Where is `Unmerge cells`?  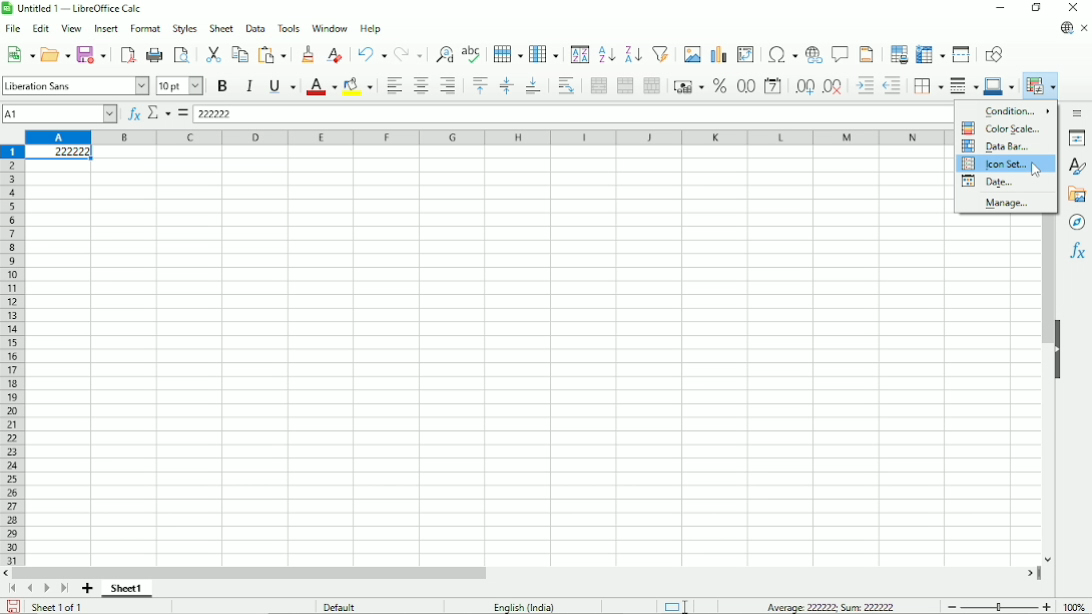 Unmerge cells is located at coordinates (652, 85).